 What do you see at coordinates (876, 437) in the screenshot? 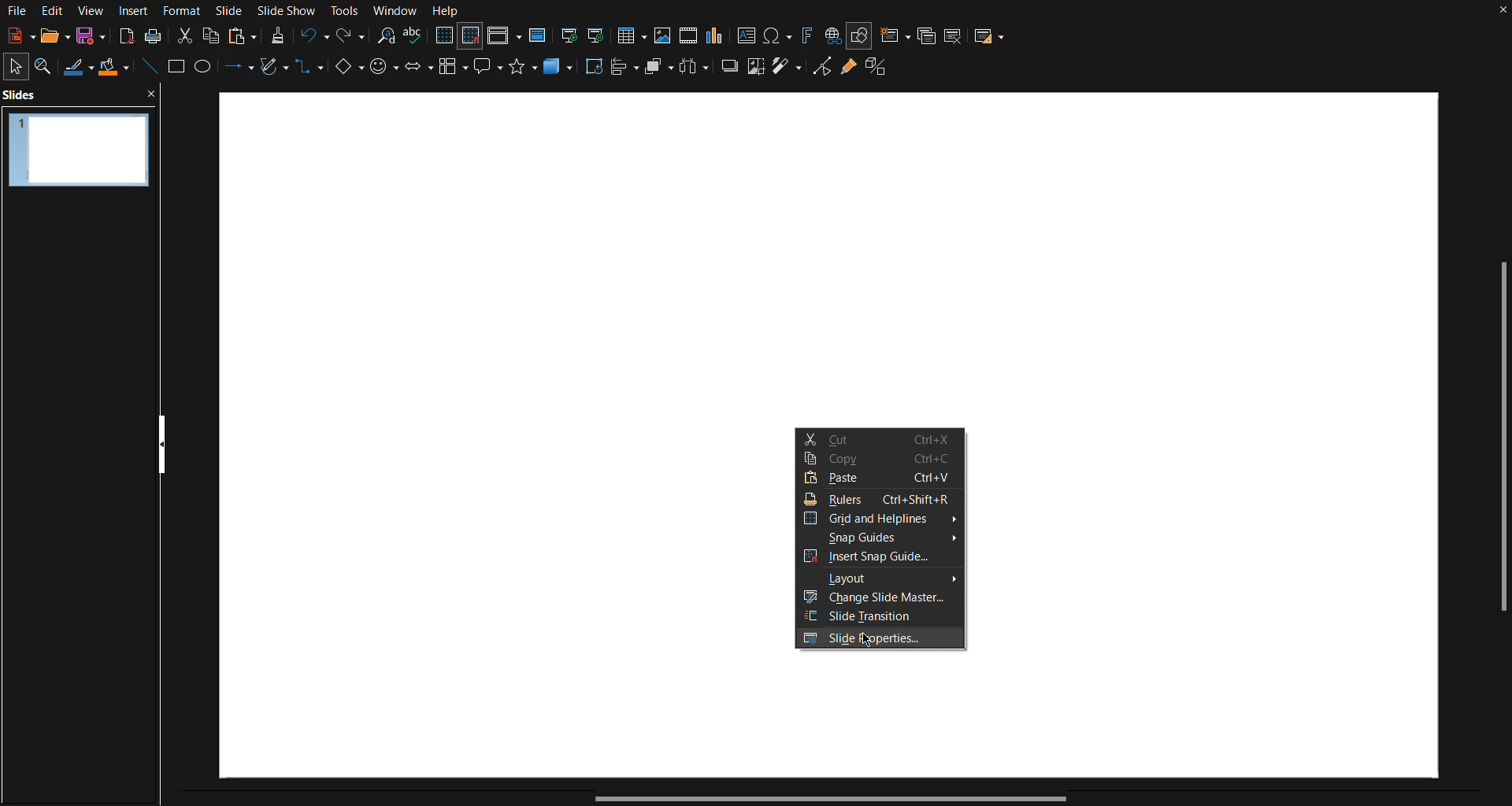
I see `Cut` at bounding box center [876, 437].